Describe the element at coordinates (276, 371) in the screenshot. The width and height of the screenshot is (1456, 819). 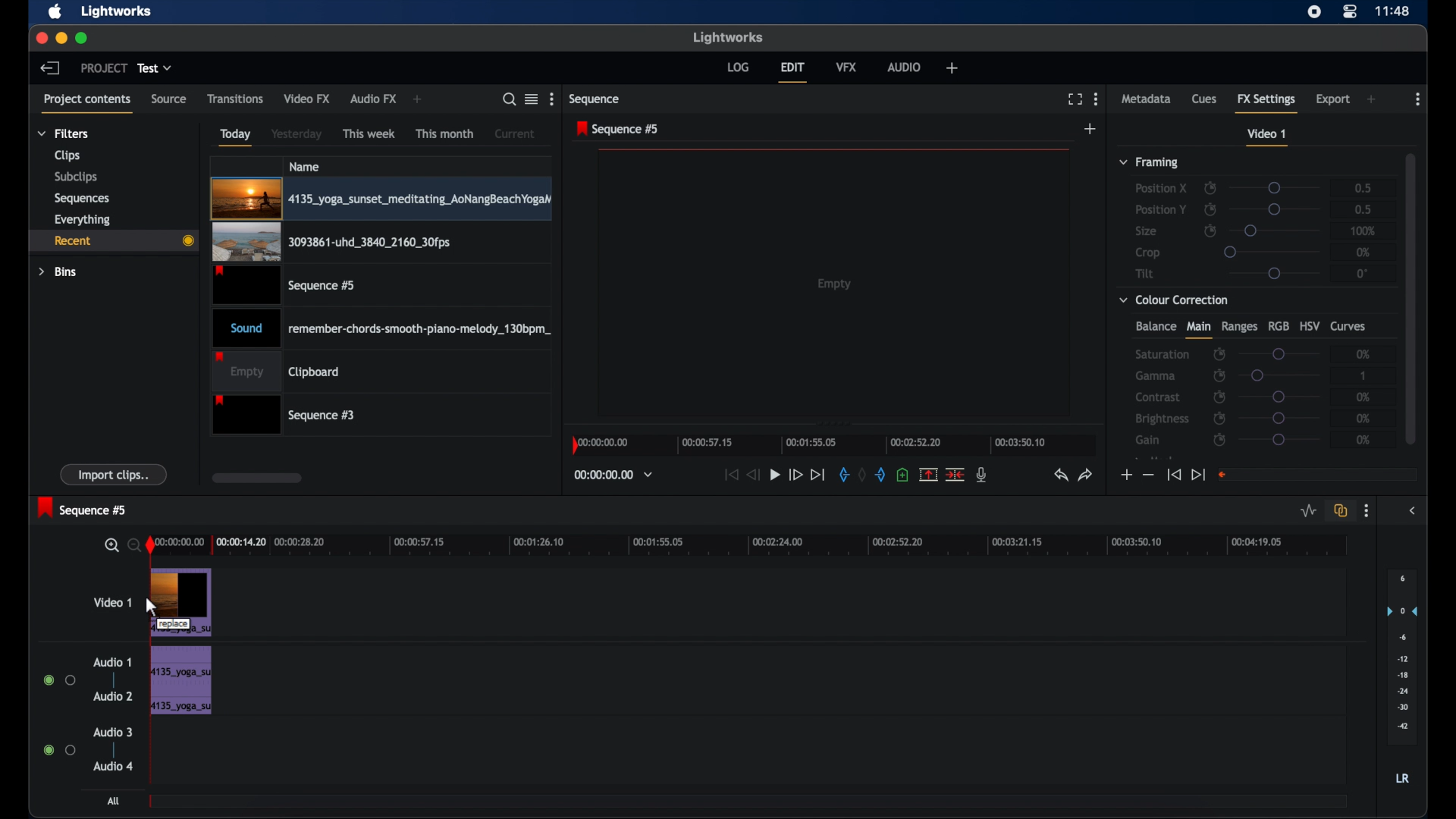
I see `empty` at that location.